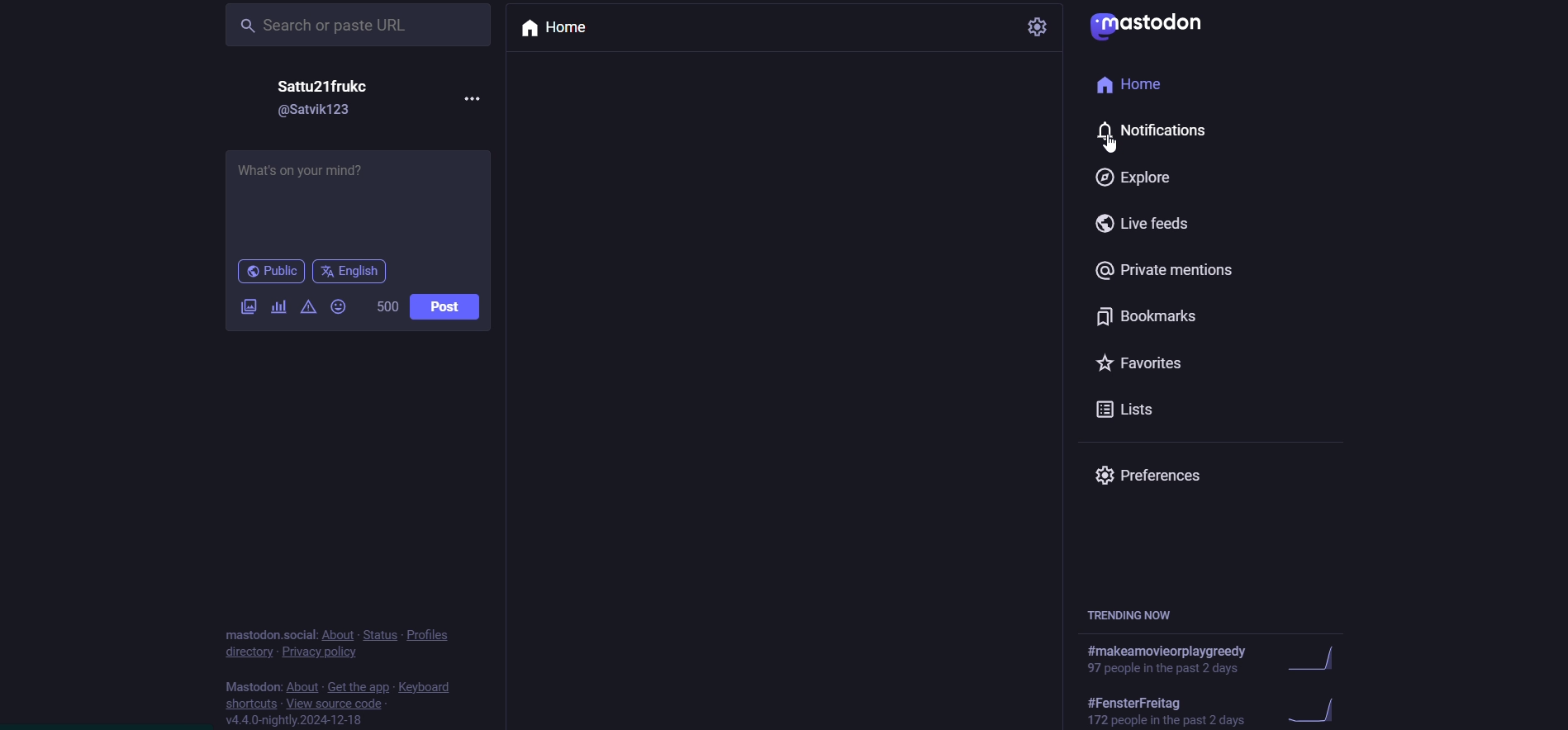  What do you see at coordinates (335, 705) in the screenshot?
I see `view source code` at bounding box center [335, 705].